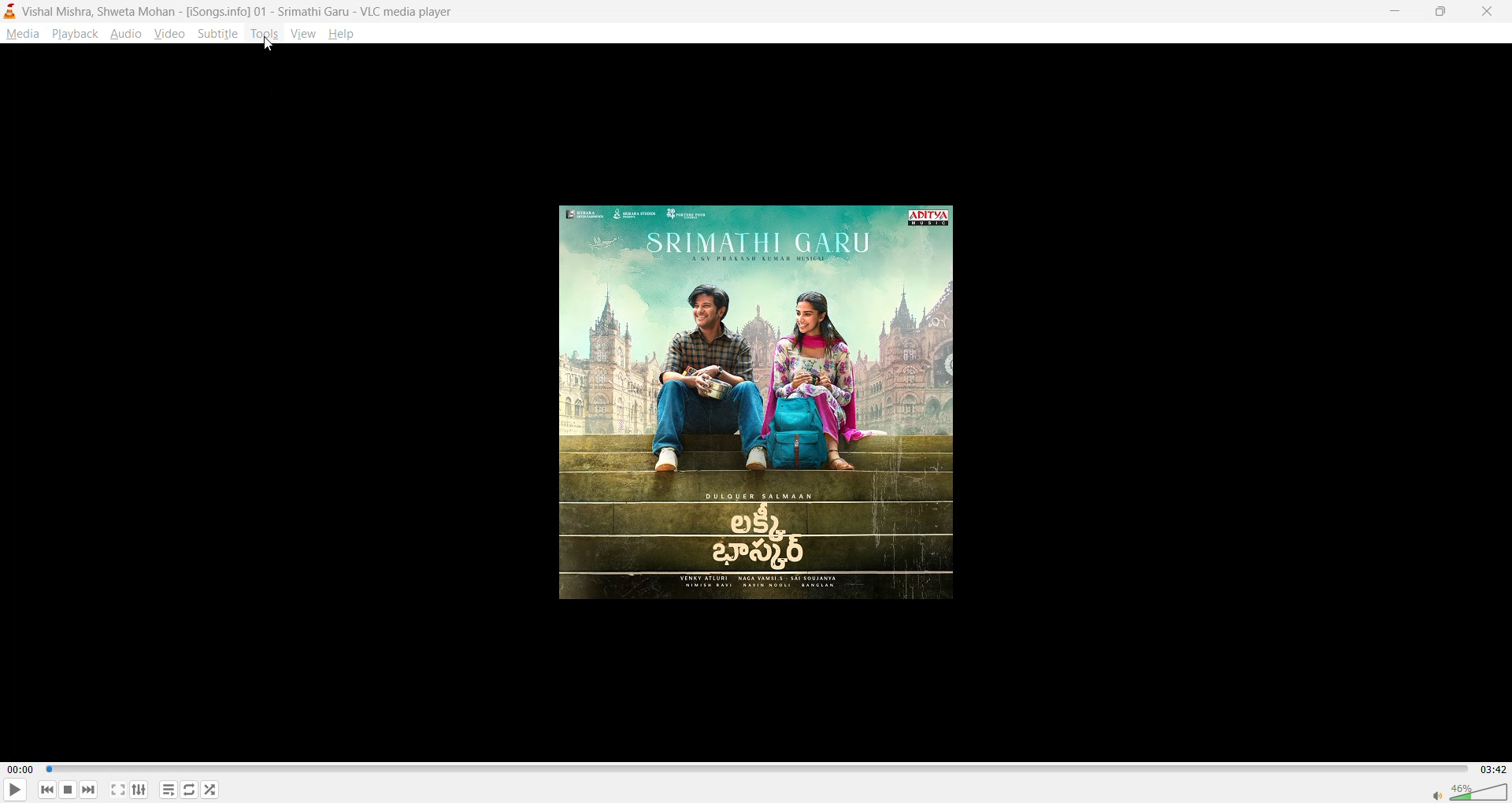 The height and width of the screenshot is (803, 1512). Describe the element at coordinates (171, 33) in the screenshot. I see `video` at that location.